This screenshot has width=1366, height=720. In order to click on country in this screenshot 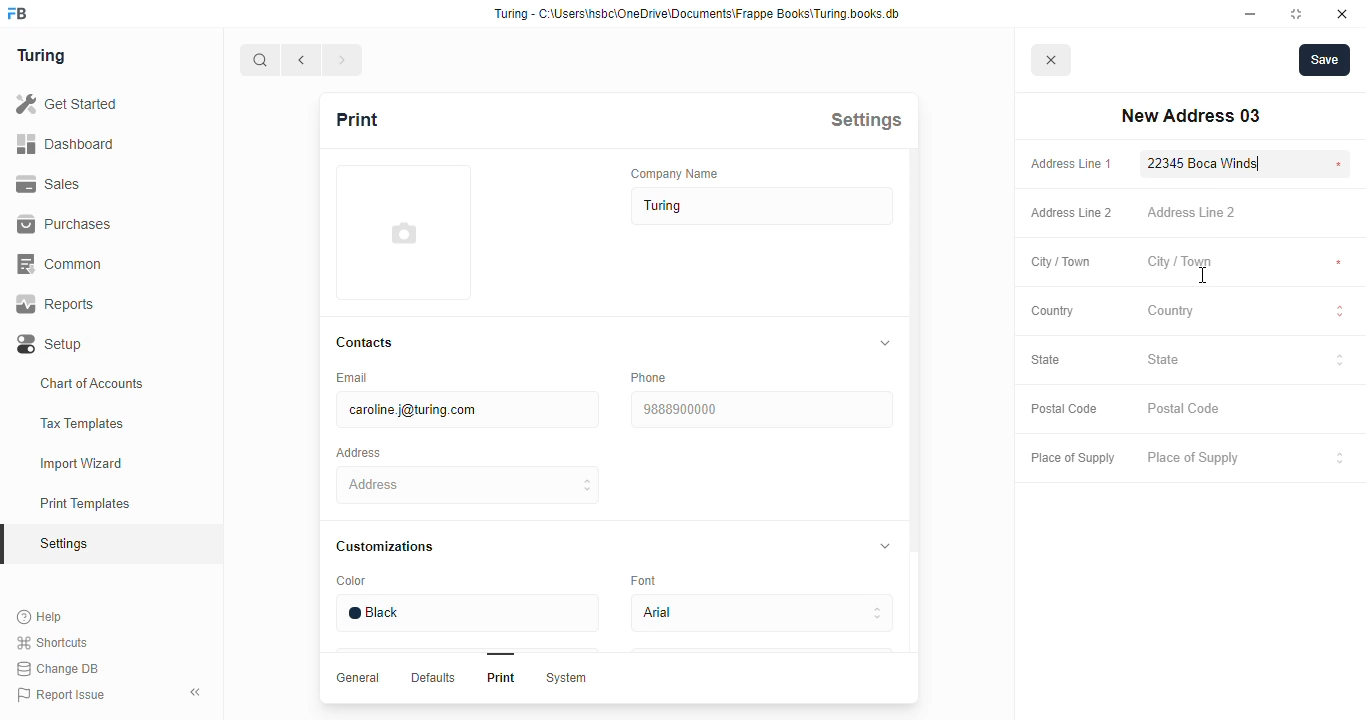, I will do `click(1246, 313)`.